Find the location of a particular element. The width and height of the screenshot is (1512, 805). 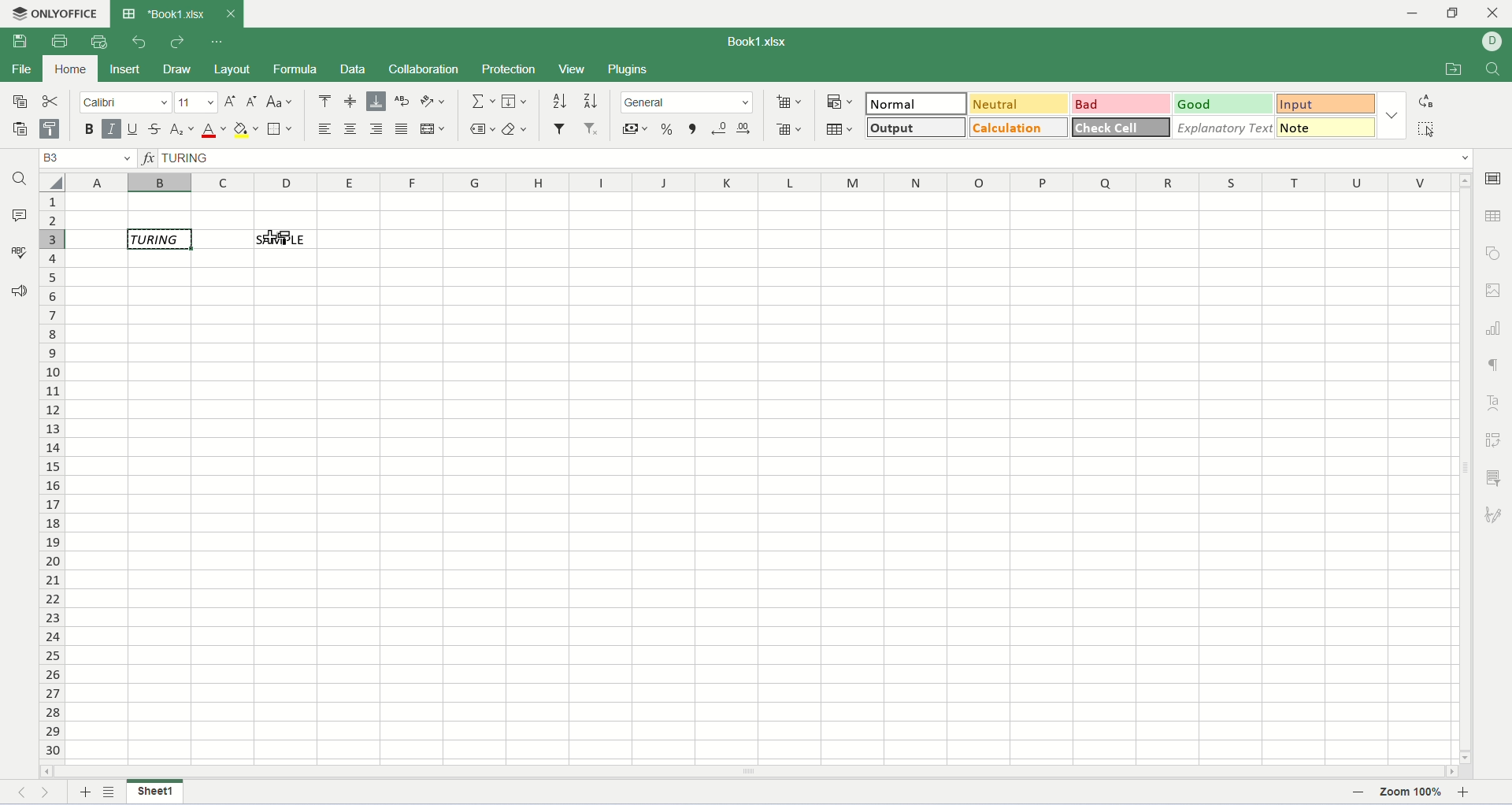

select all is located at coordinates (1425, 128).